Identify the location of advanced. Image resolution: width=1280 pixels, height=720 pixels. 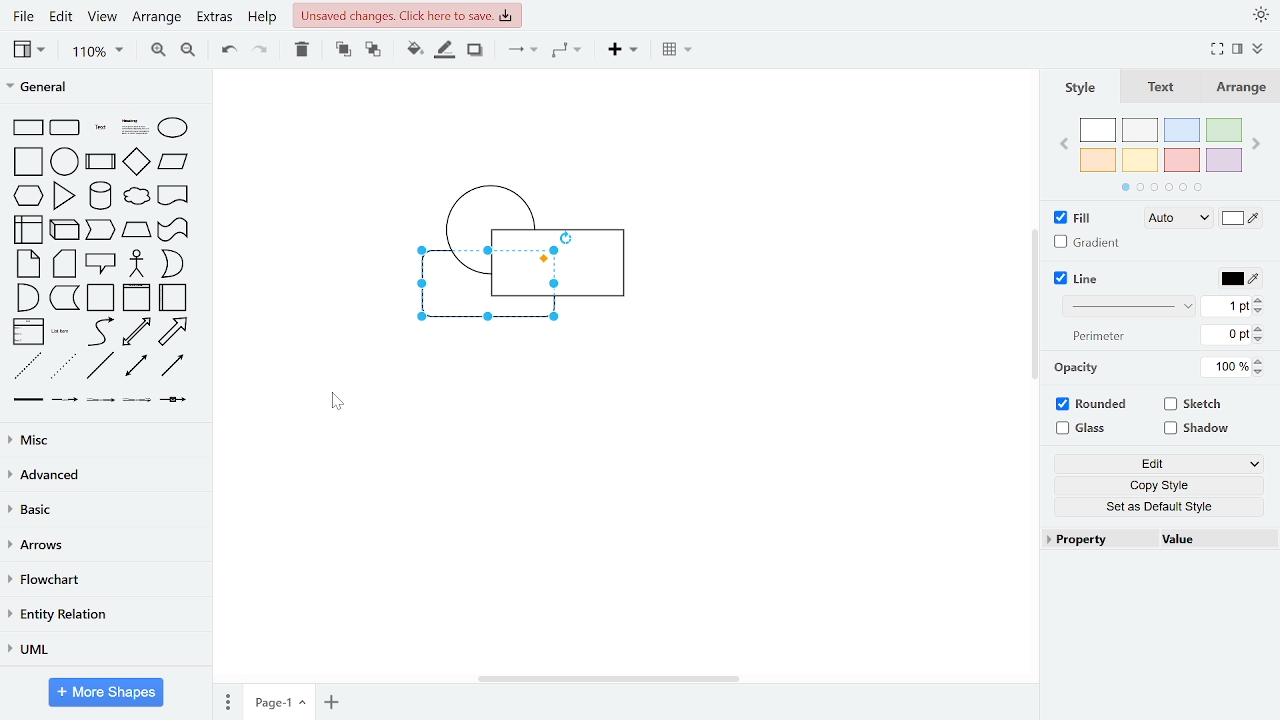
(108, 472).